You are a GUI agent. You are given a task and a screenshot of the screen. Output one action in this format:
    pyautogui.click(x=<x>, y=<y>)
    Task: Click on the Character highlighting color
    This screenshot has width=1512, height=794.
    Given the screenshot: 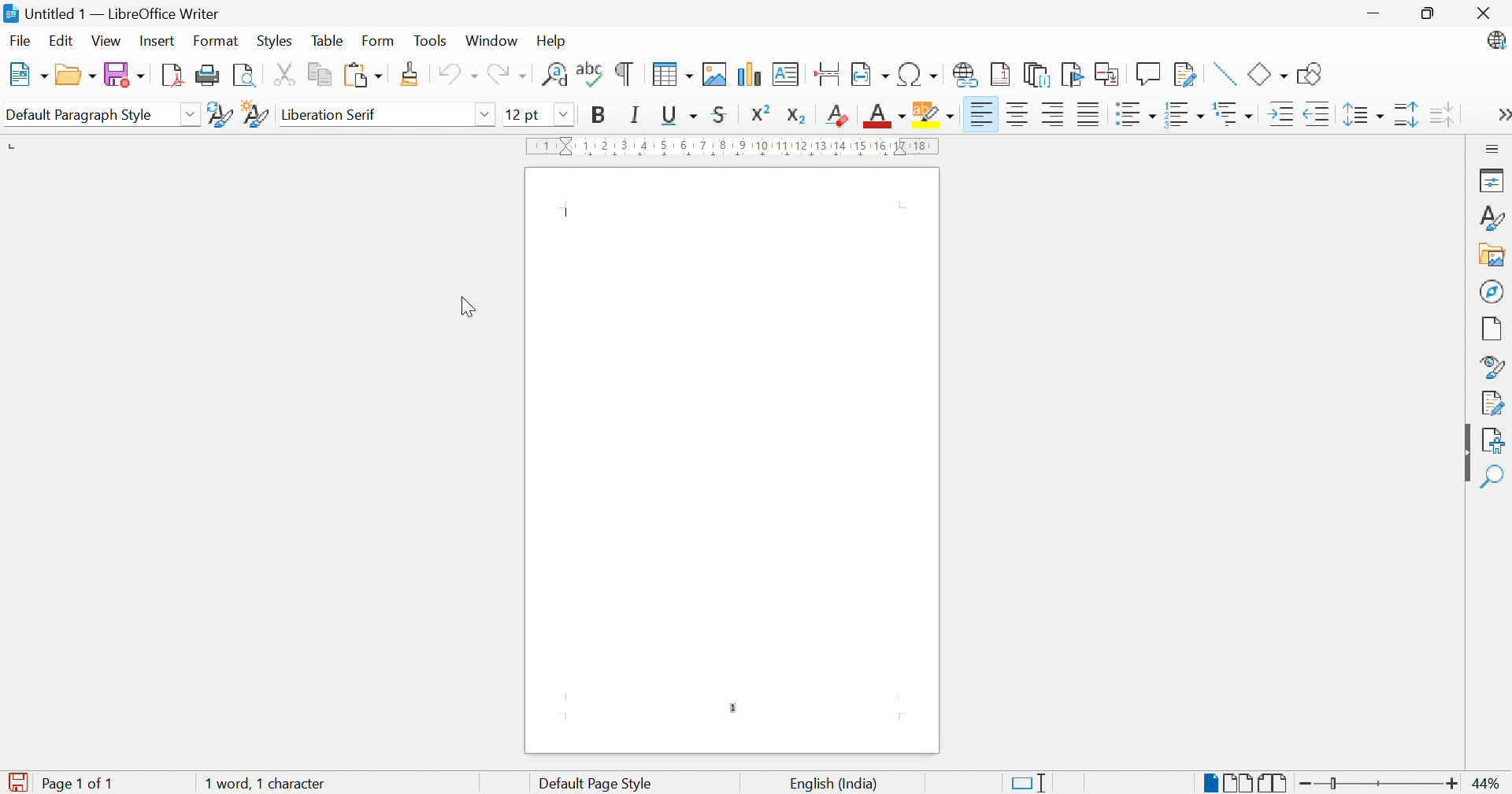 What is the action you would take?
    pyautogui.click(x=935, y=114)
    